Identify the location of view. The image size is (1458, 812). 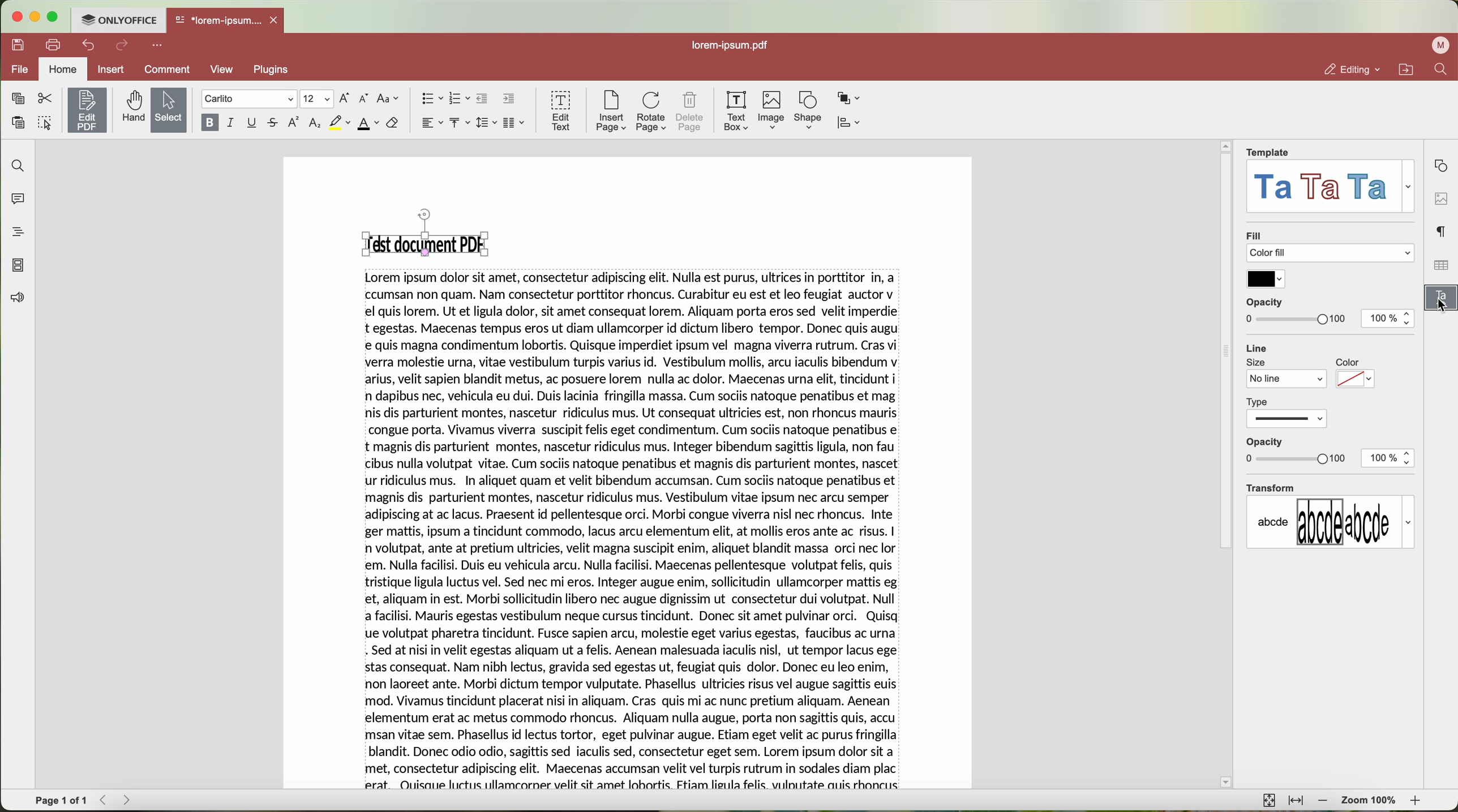
(225, 71).